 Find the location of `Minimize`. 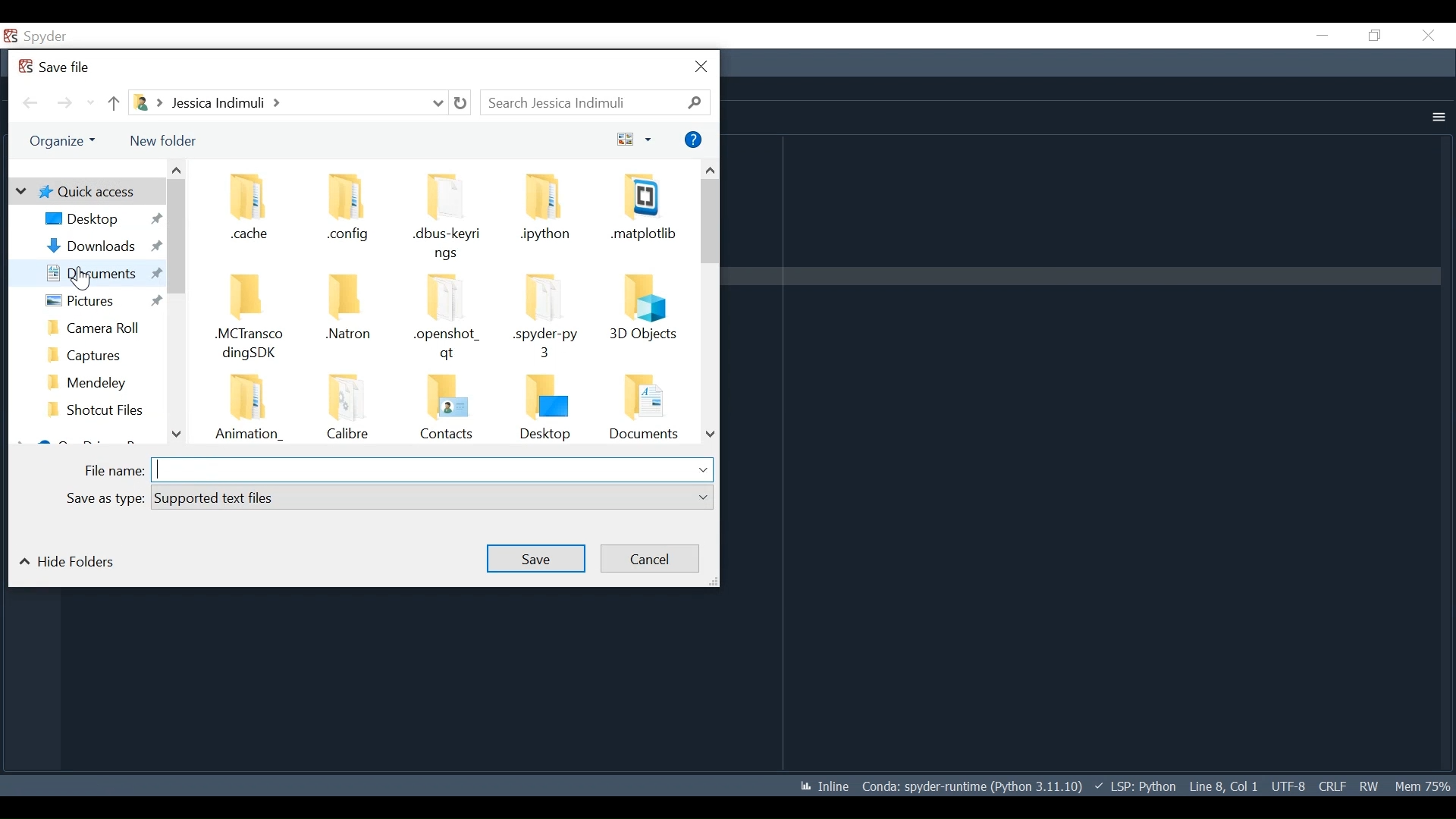

Minimize is located at coordinates (1321, 35).